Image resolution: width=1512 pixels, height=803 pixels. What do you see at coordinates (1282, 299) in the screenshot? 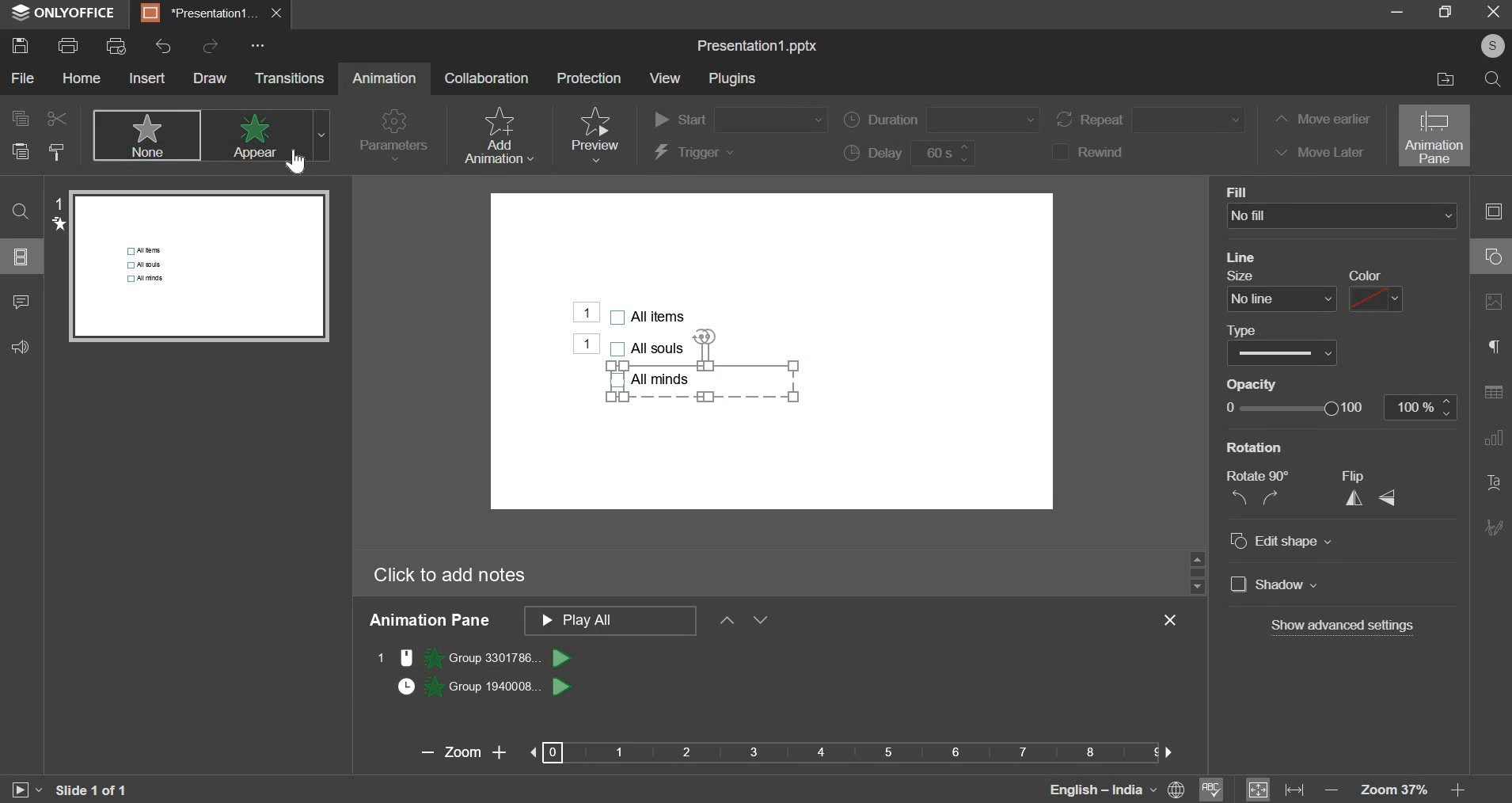
I see `line size` at bounding box center [1282, 299].